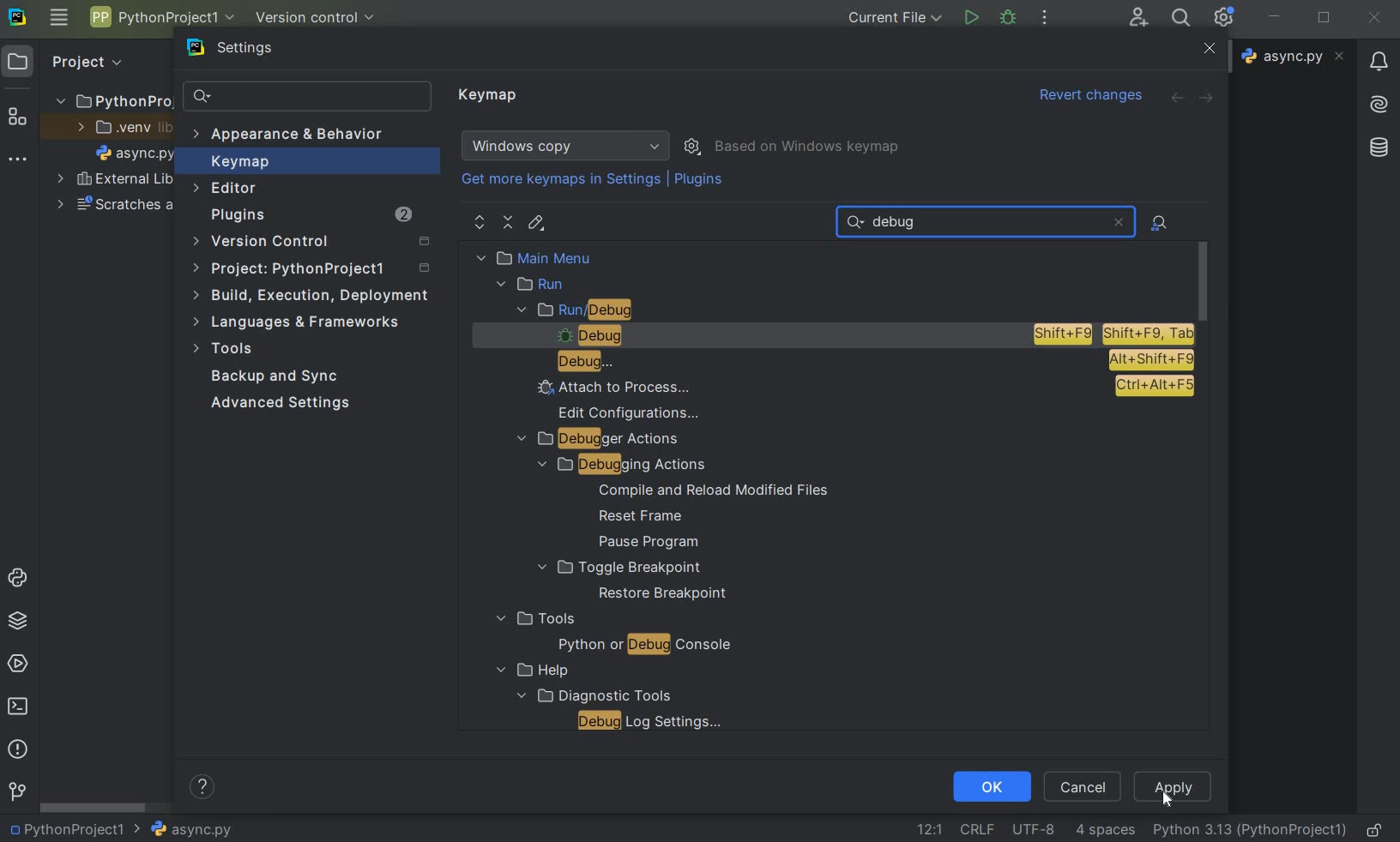 The image size is (1400, 842). What do you see at coordinates (241, 51) in the screenshot?
I see `settings` at bounding box center [241, 51].